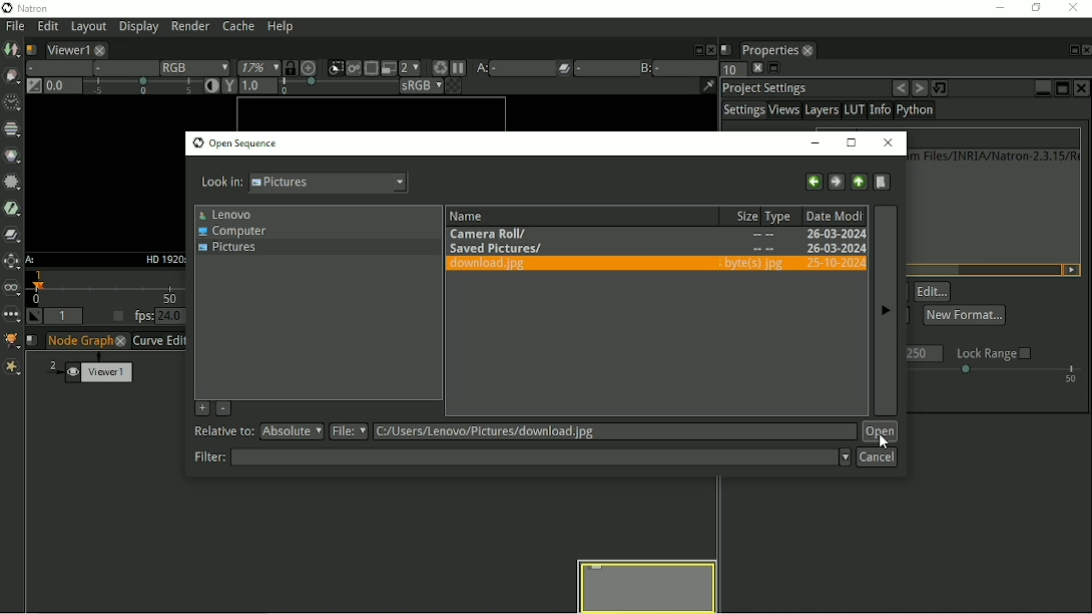 This screenshot has width=1092, height=614. I want to click on Size, so click(743, 215).